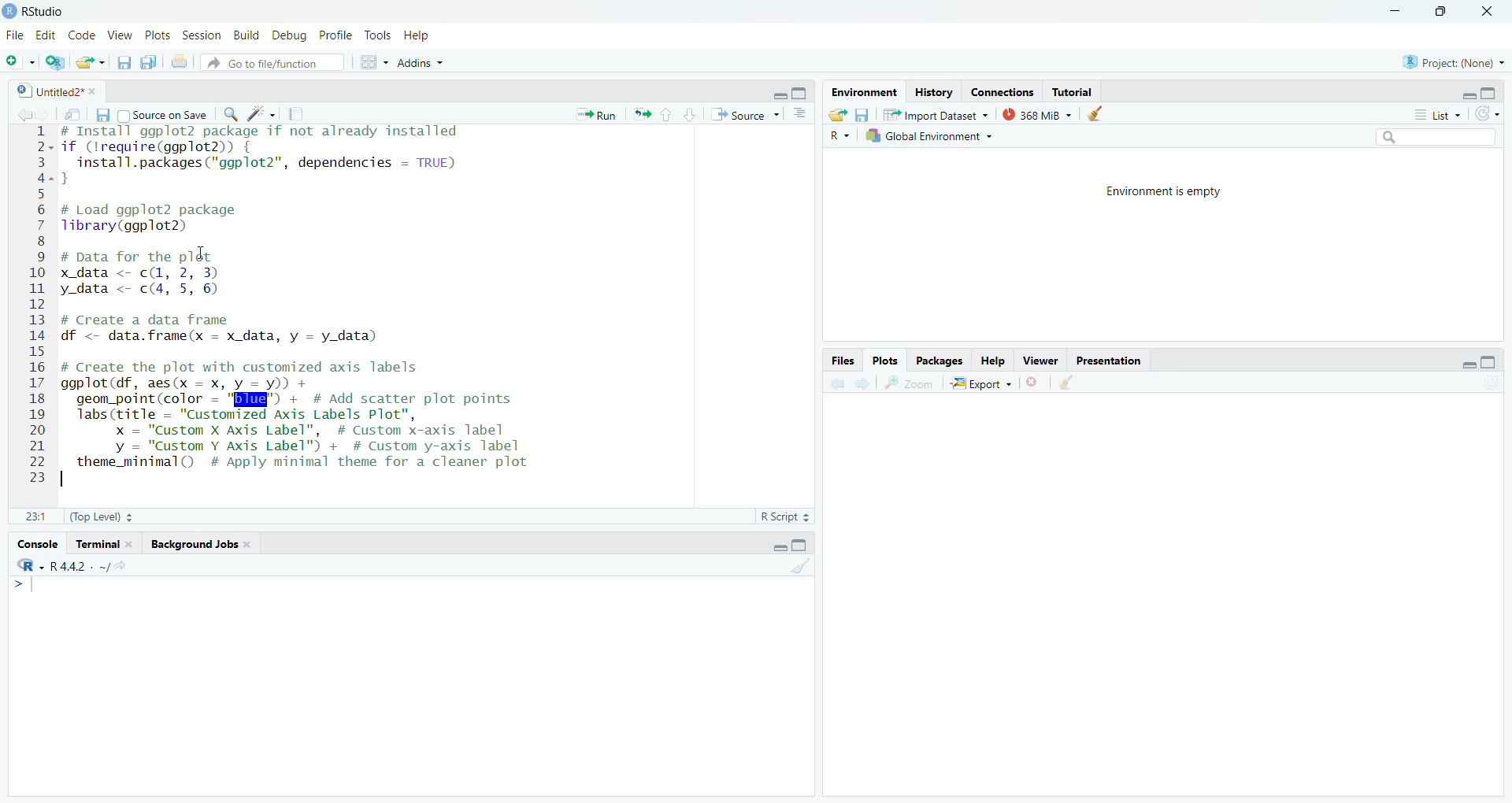 The image size is (1512, 803). I want to click on clear, so click(801, 571).